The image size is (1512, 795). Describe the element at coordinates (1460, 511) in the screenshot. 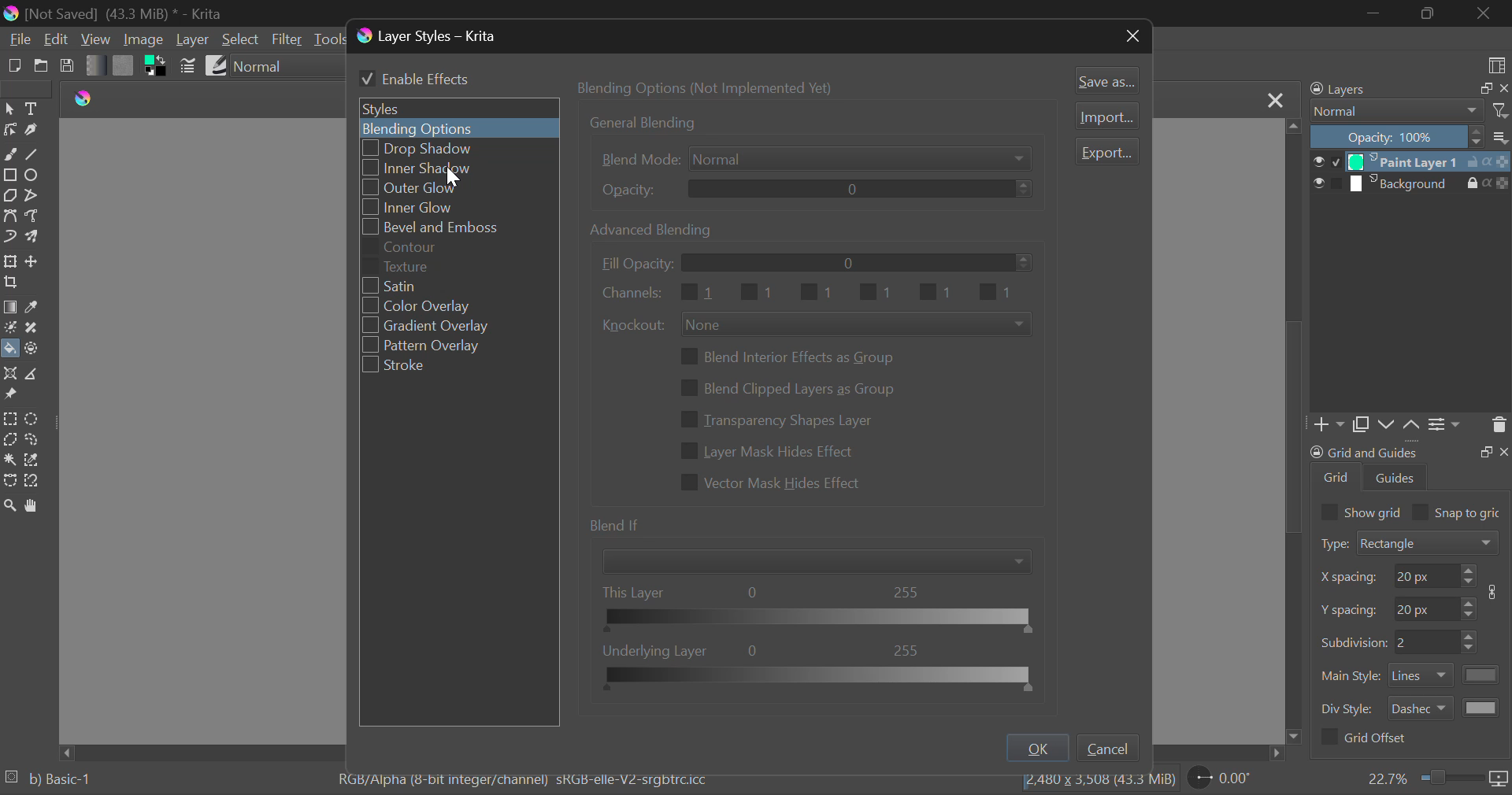

I see `Snap to grid` at that location.